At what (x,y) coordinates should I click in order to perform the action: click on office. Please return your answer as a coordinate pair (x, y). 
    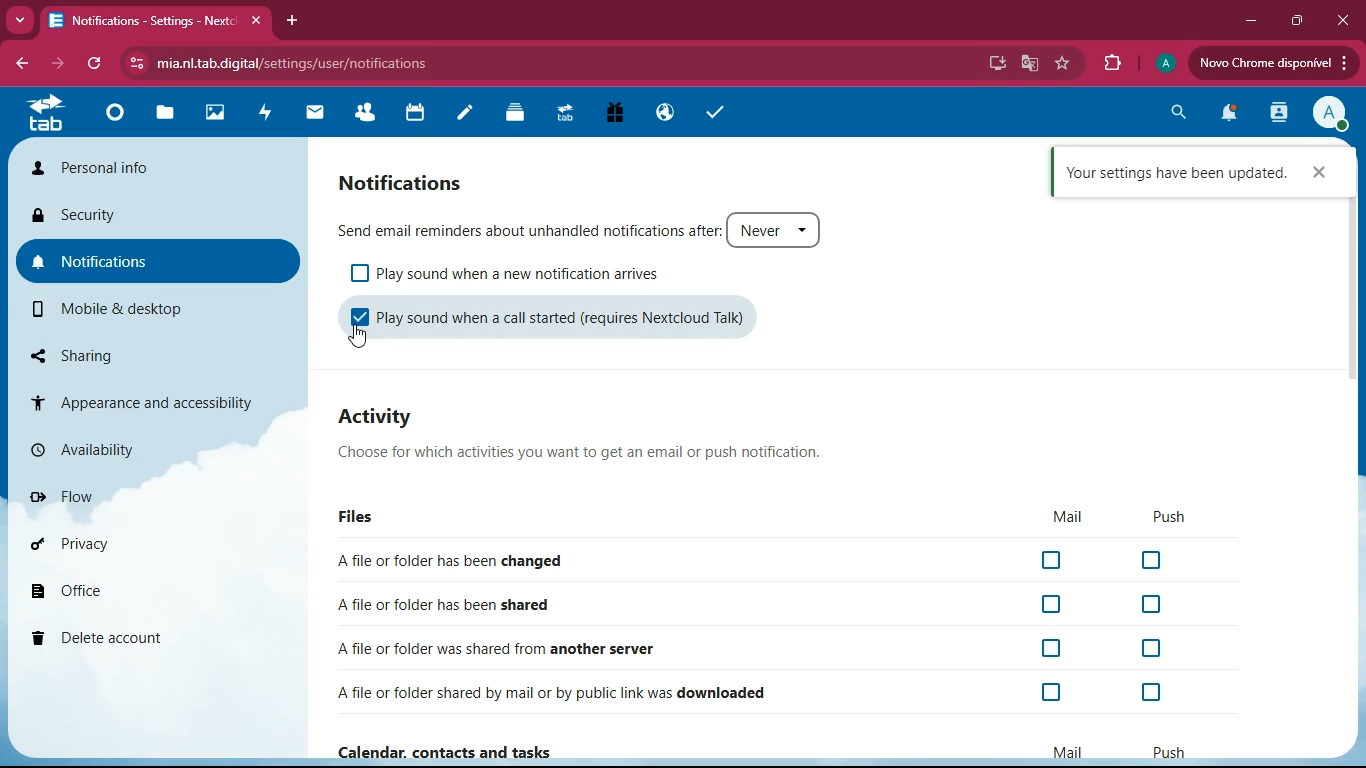
    Looking at the image, I should click on (72, 592).